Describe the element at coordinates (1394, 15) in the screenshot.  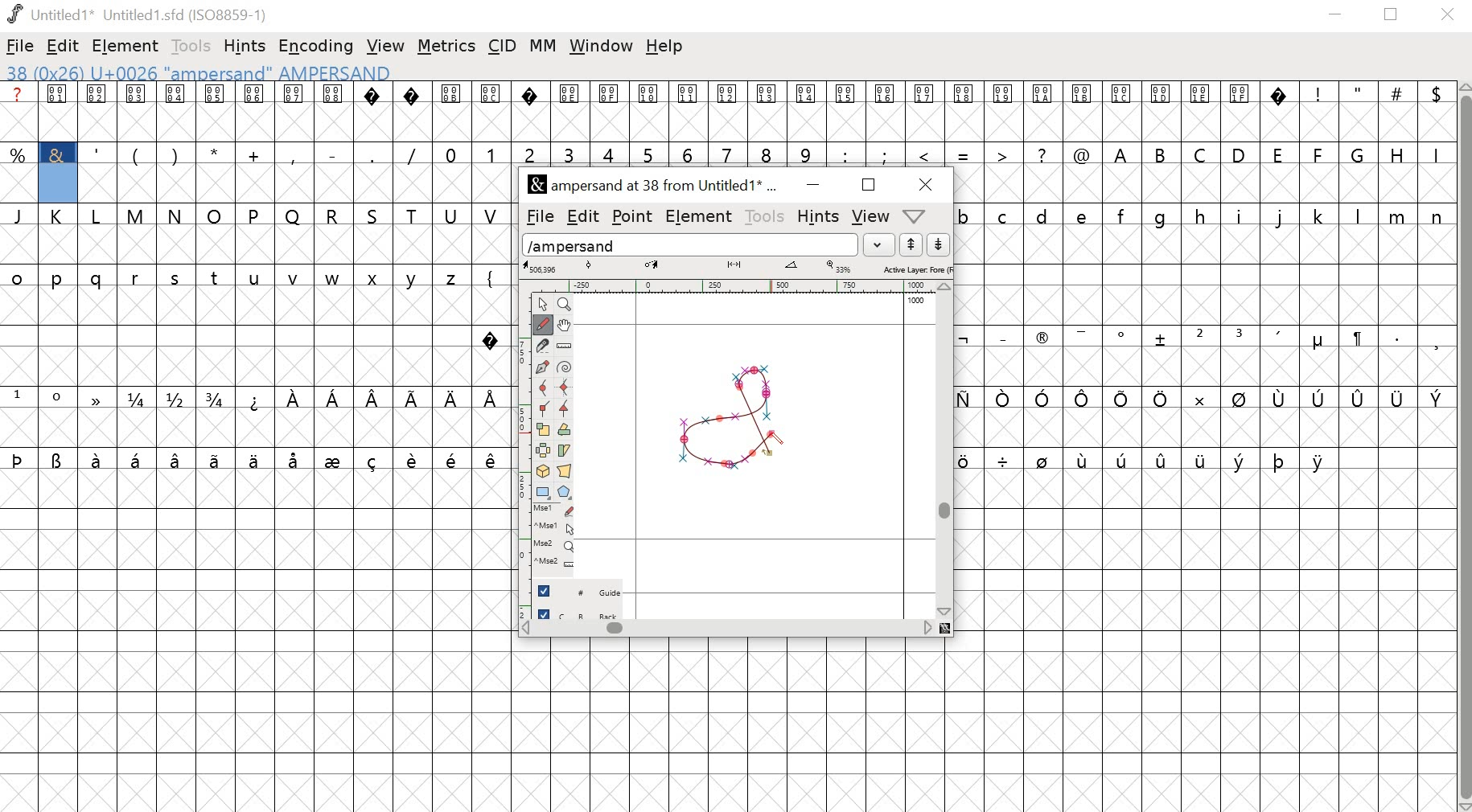
I see `maximize` at that location.